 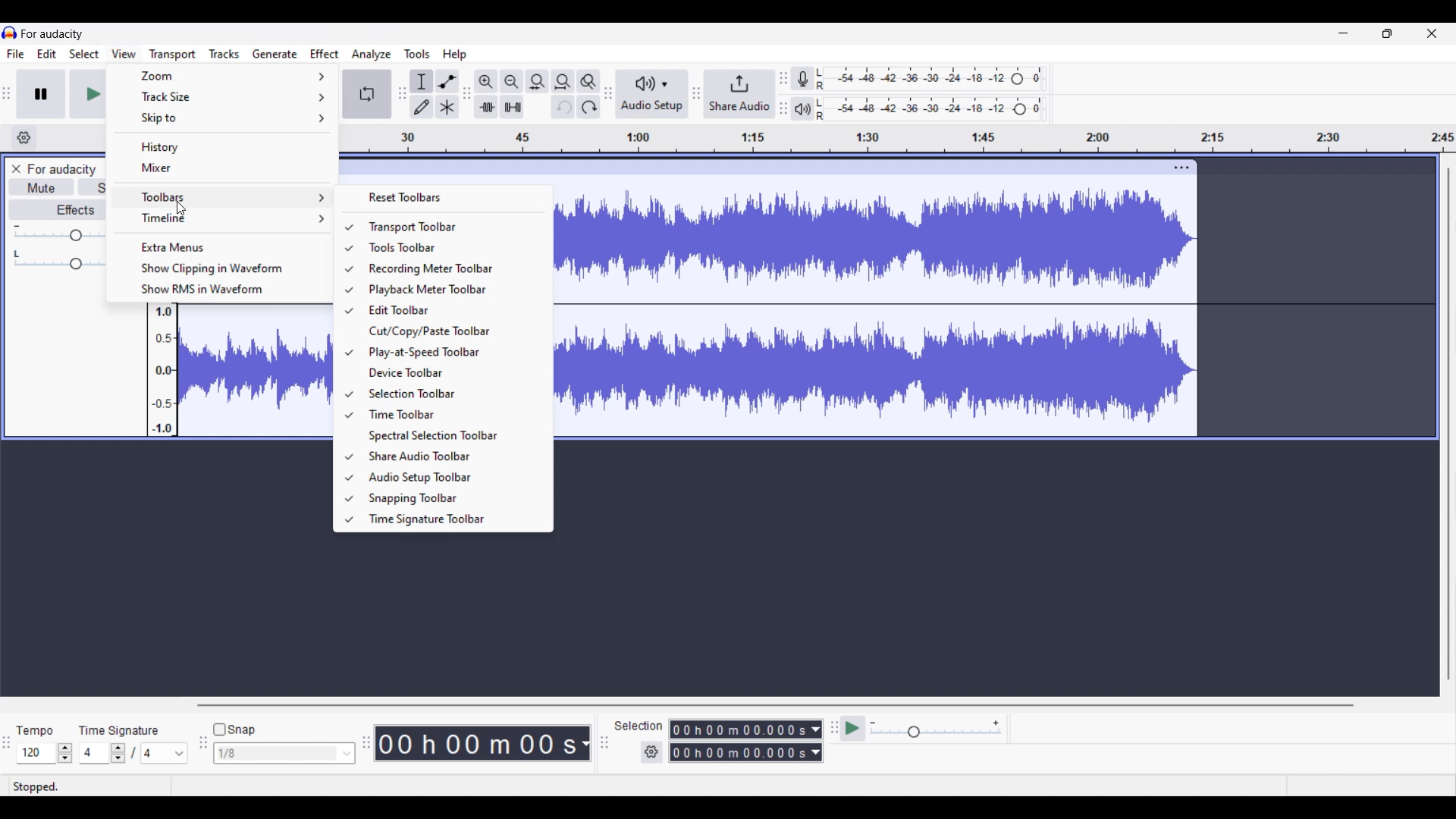 What do you see at coordinates (17, 169) in the screenshot?
I see `Close track` at bounding box center [17, 169].